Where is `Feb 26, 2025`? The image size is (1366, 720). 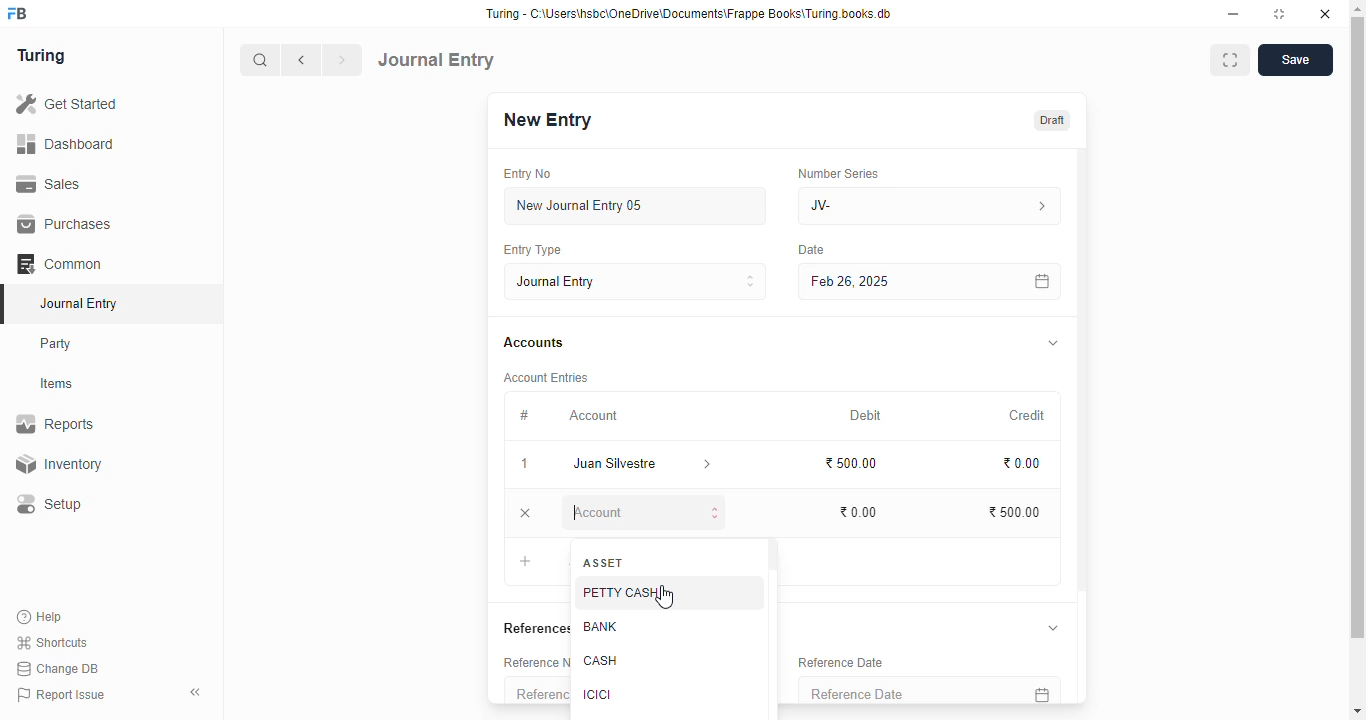
Feb 26, 2025 is located at coordinates (883, 281).